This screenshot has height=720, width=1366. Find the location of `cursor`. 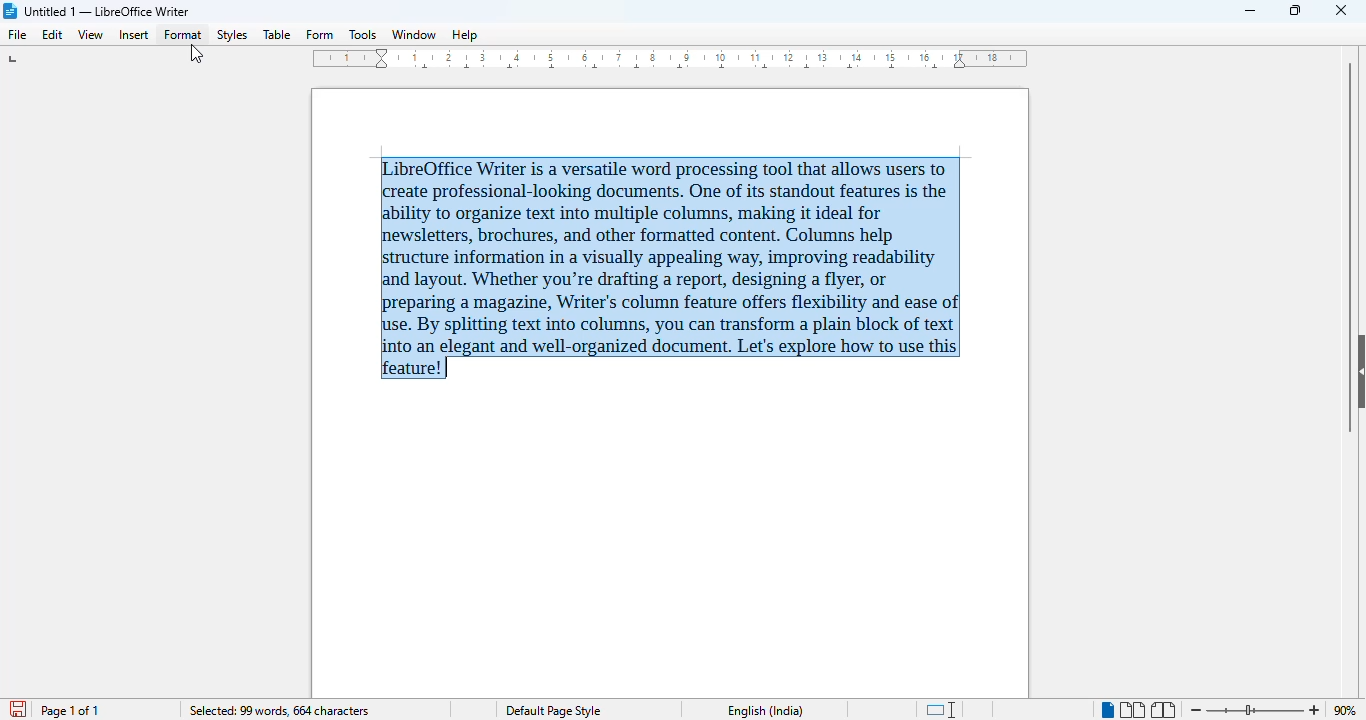

cursor is located at coordinates (196, 55).